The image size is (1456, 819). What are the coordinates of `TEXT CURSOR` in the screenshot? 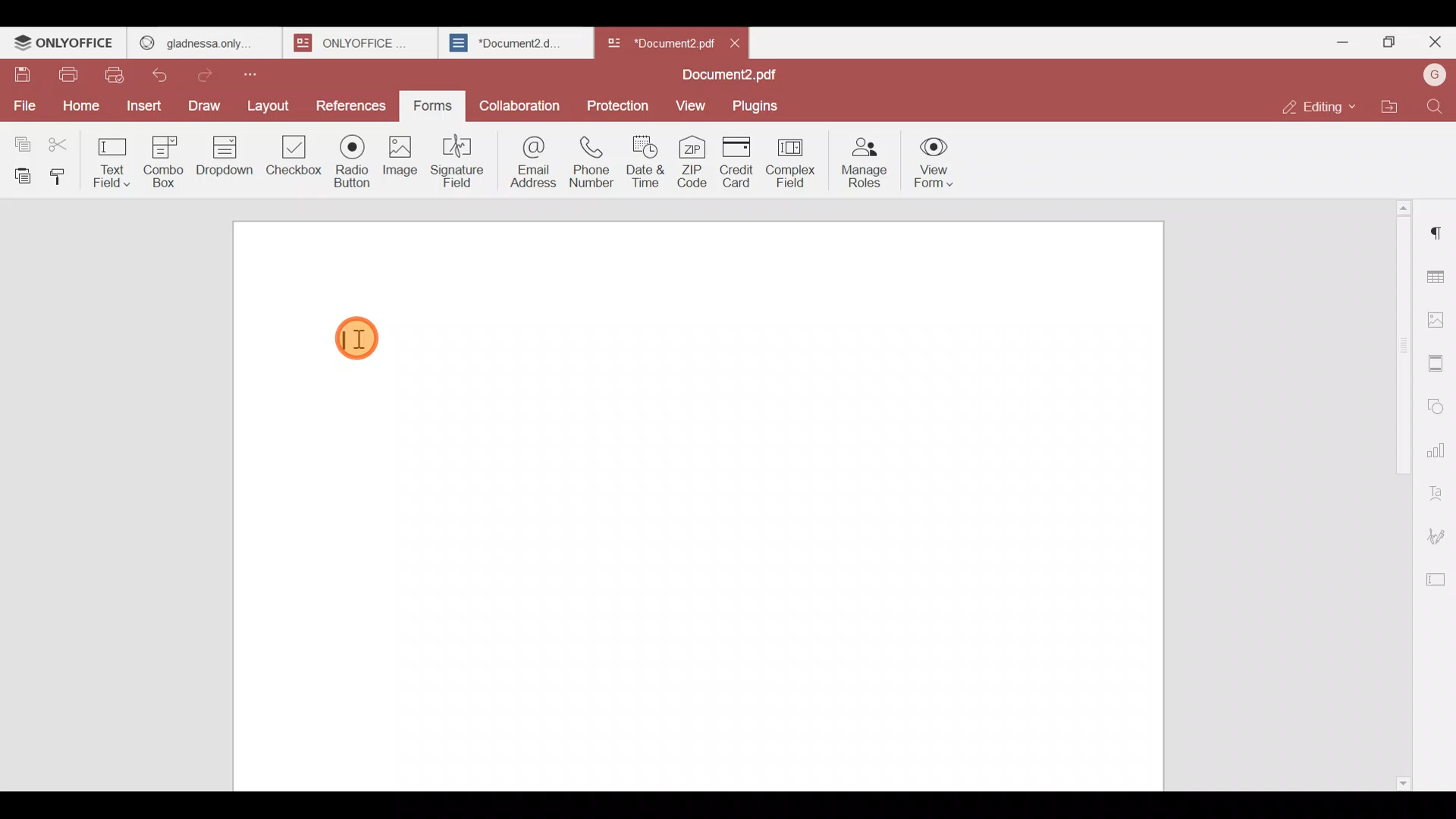 It's located at (359, 341).